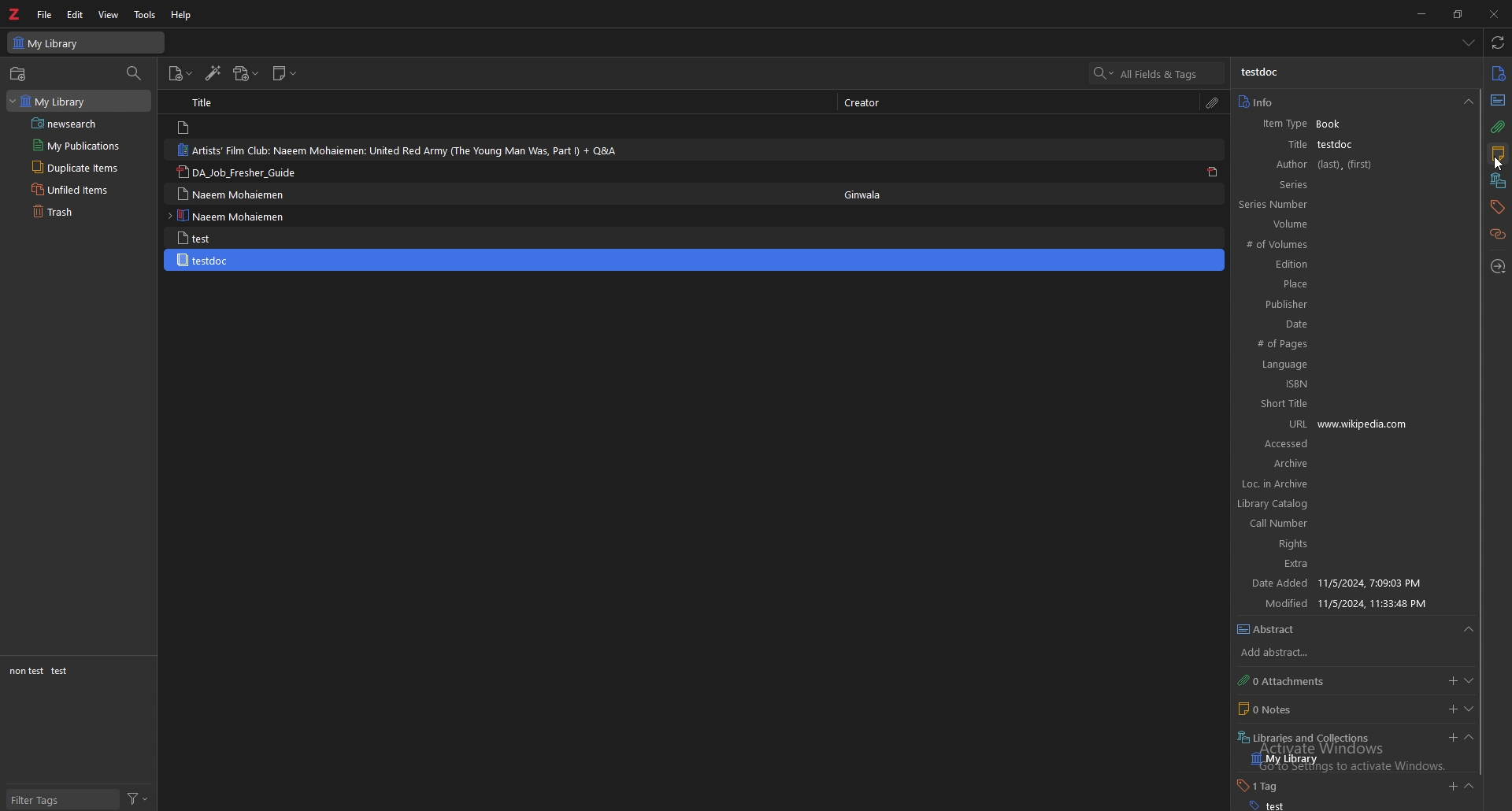 Image resolution: width=1512 pixels, height=811 pixels. What do you see at coordinates (1496, 127) in the screenshot?
I see `attachment` at bounding box center [1496, 127].